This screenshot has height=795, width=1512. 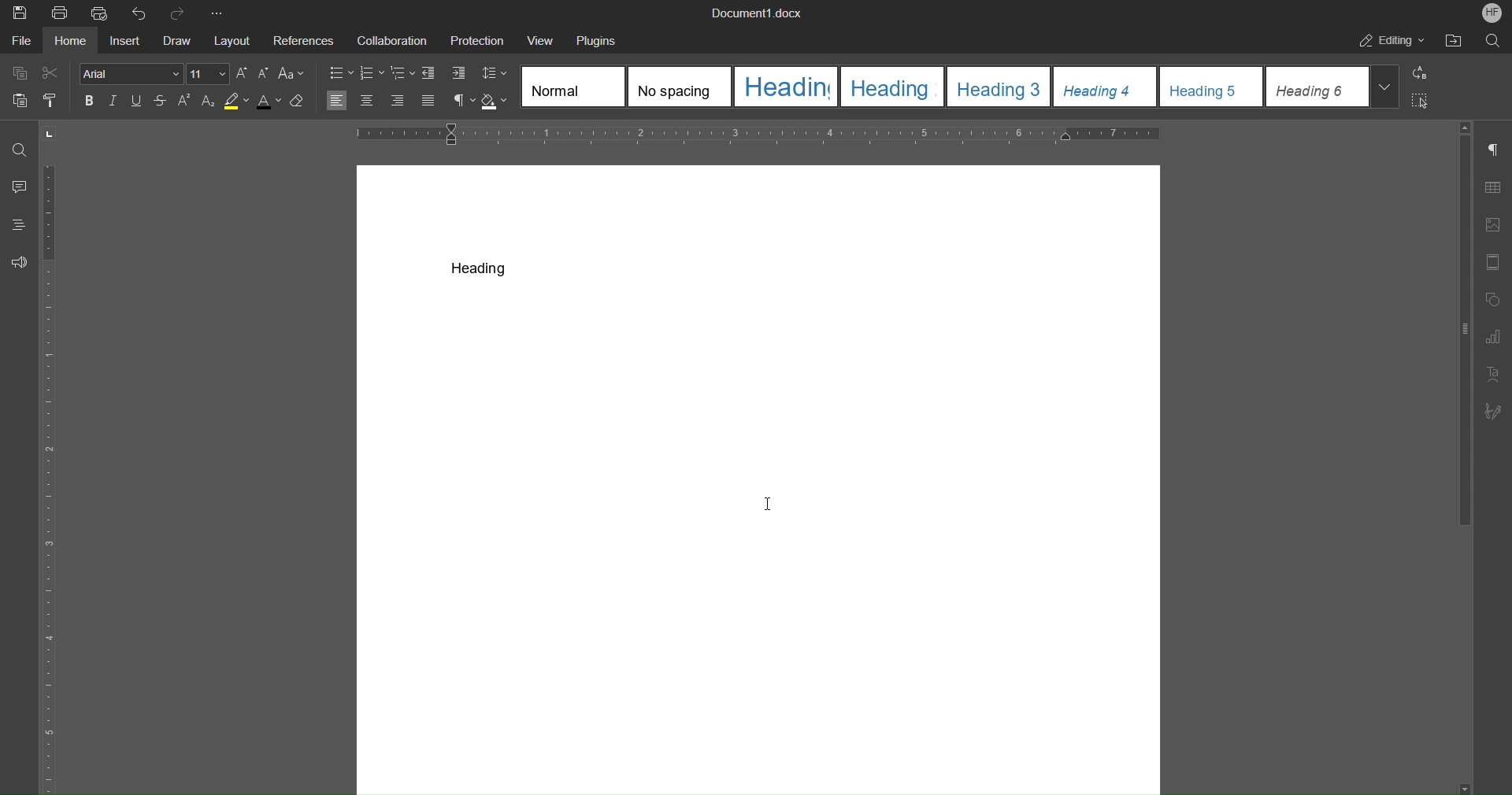 I want to click on Vertical Ruler, so click(x=54, y=476).